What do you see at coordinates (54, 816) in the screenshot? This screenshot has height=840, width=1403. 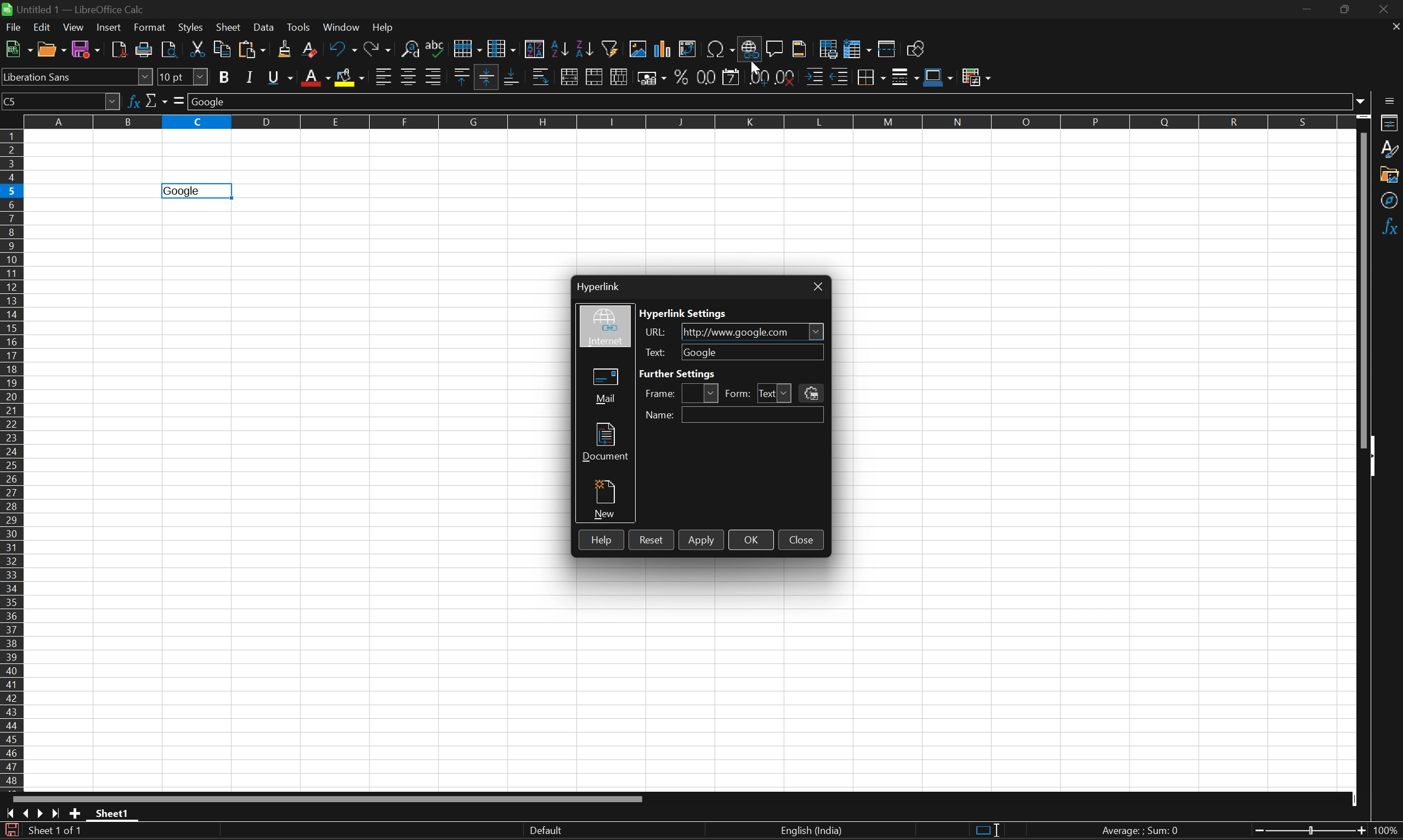 I see `Scroll to last sheet` at bounding box center [54, 816].